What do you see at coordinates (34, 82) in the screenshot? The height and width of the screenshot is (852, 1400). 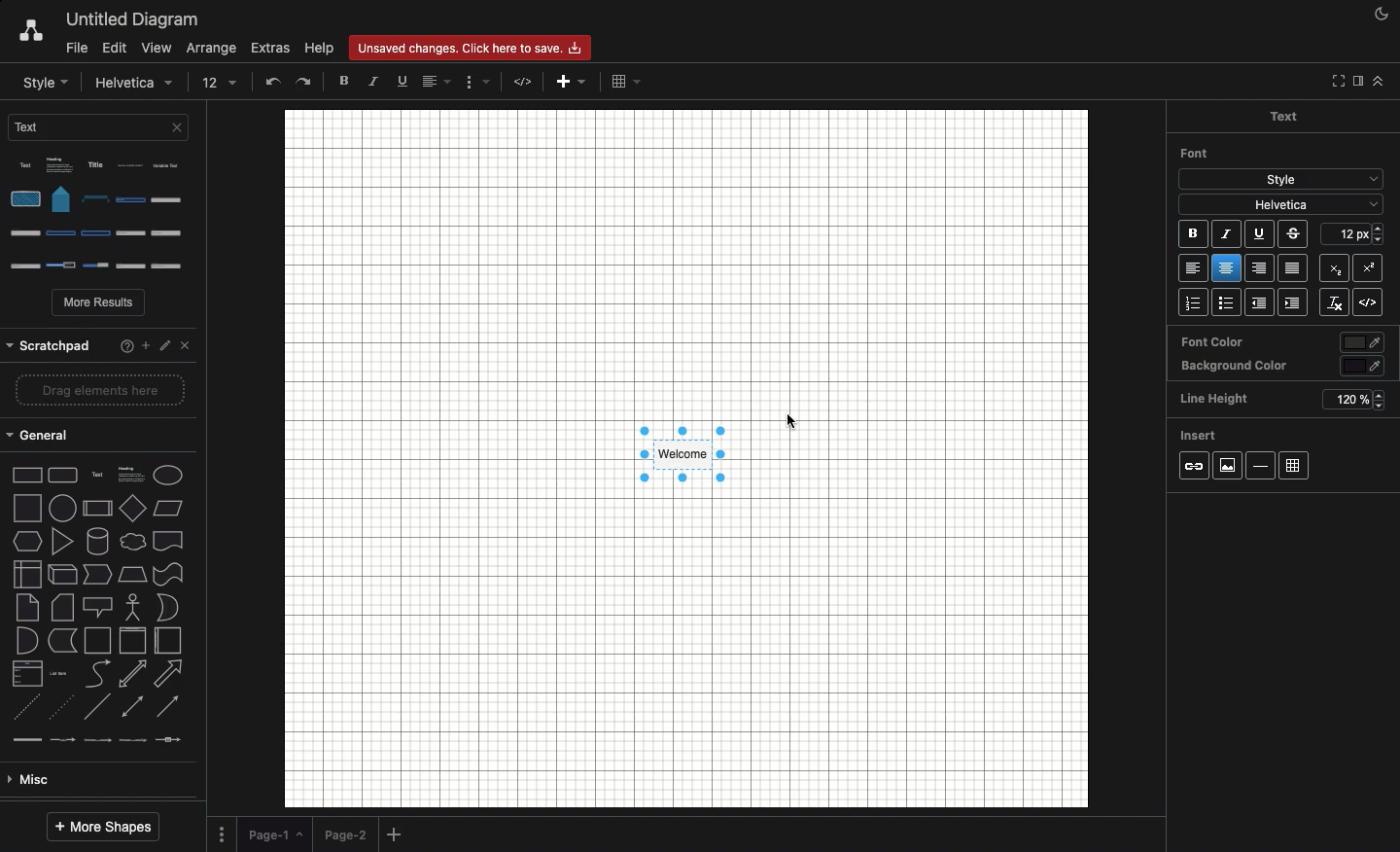 I see `Sidebar` at bounding box center [34, 82].